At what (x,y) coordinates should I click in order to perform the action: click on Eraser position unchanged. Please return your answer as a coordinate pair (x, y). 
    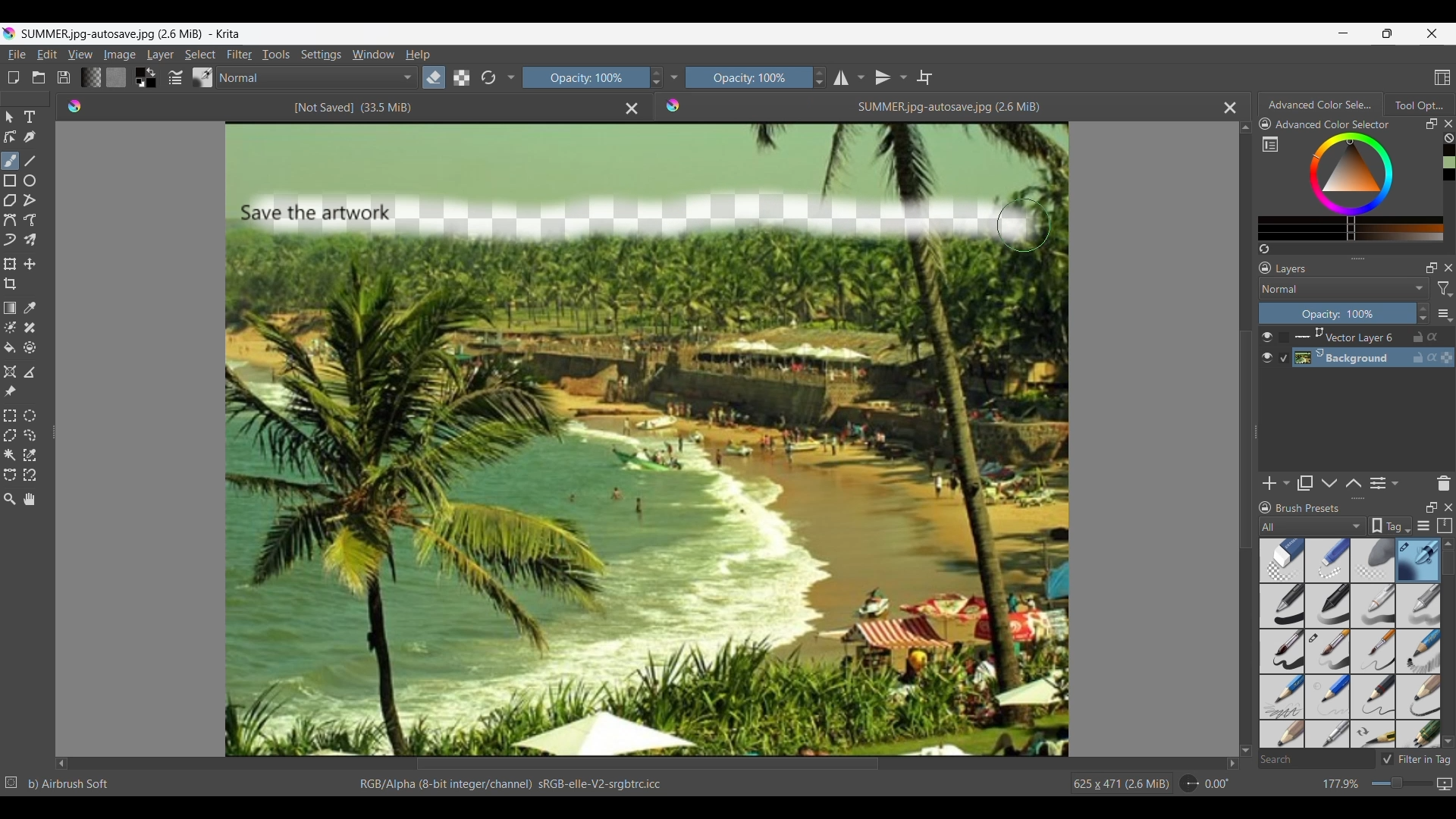
    Looking at the image, I should click on (1023, 225).